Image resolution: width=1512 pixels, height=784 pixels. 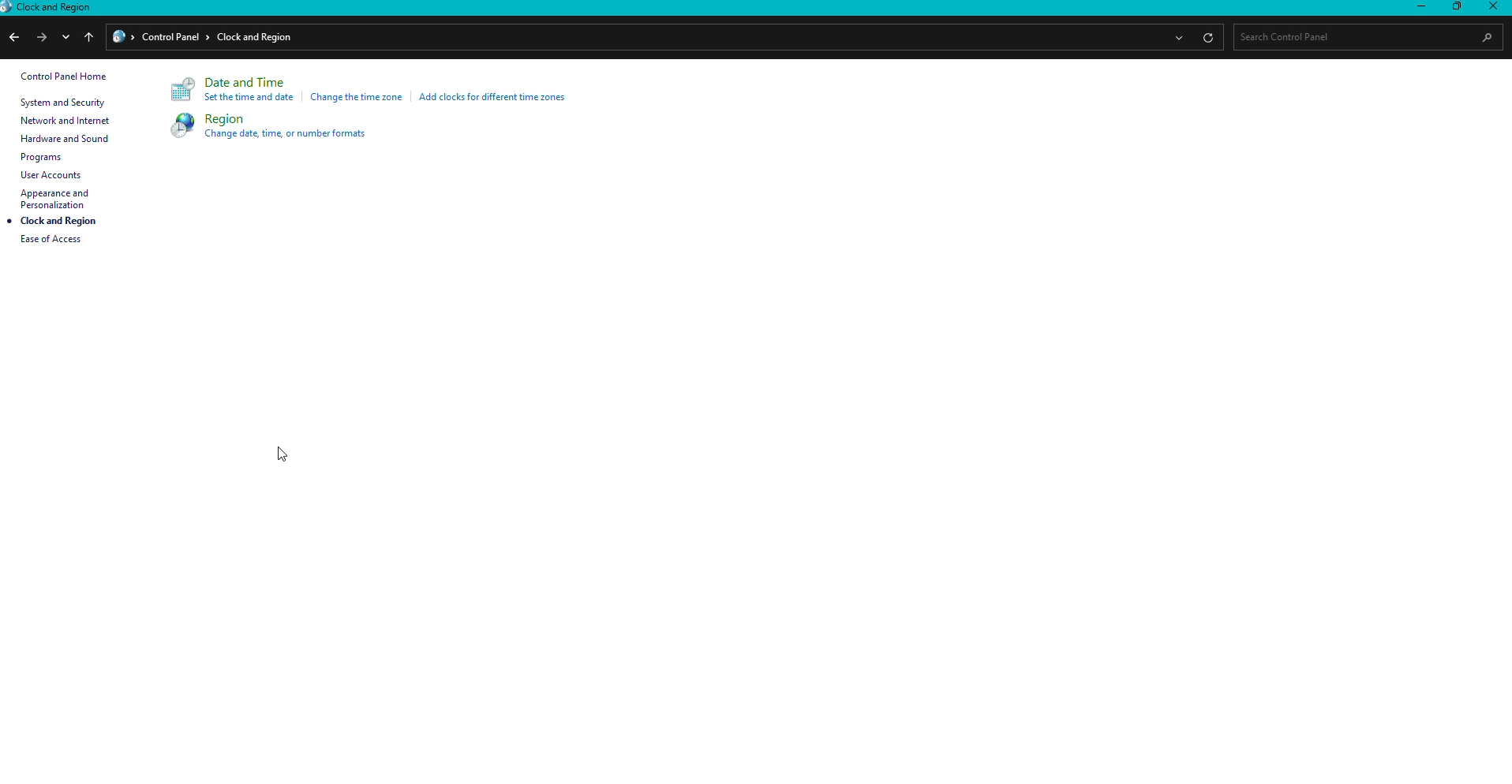 What do you see at coordinates (1454, 7) in the screenshot?
I see `Restore` at bounding box center [1454, 7].